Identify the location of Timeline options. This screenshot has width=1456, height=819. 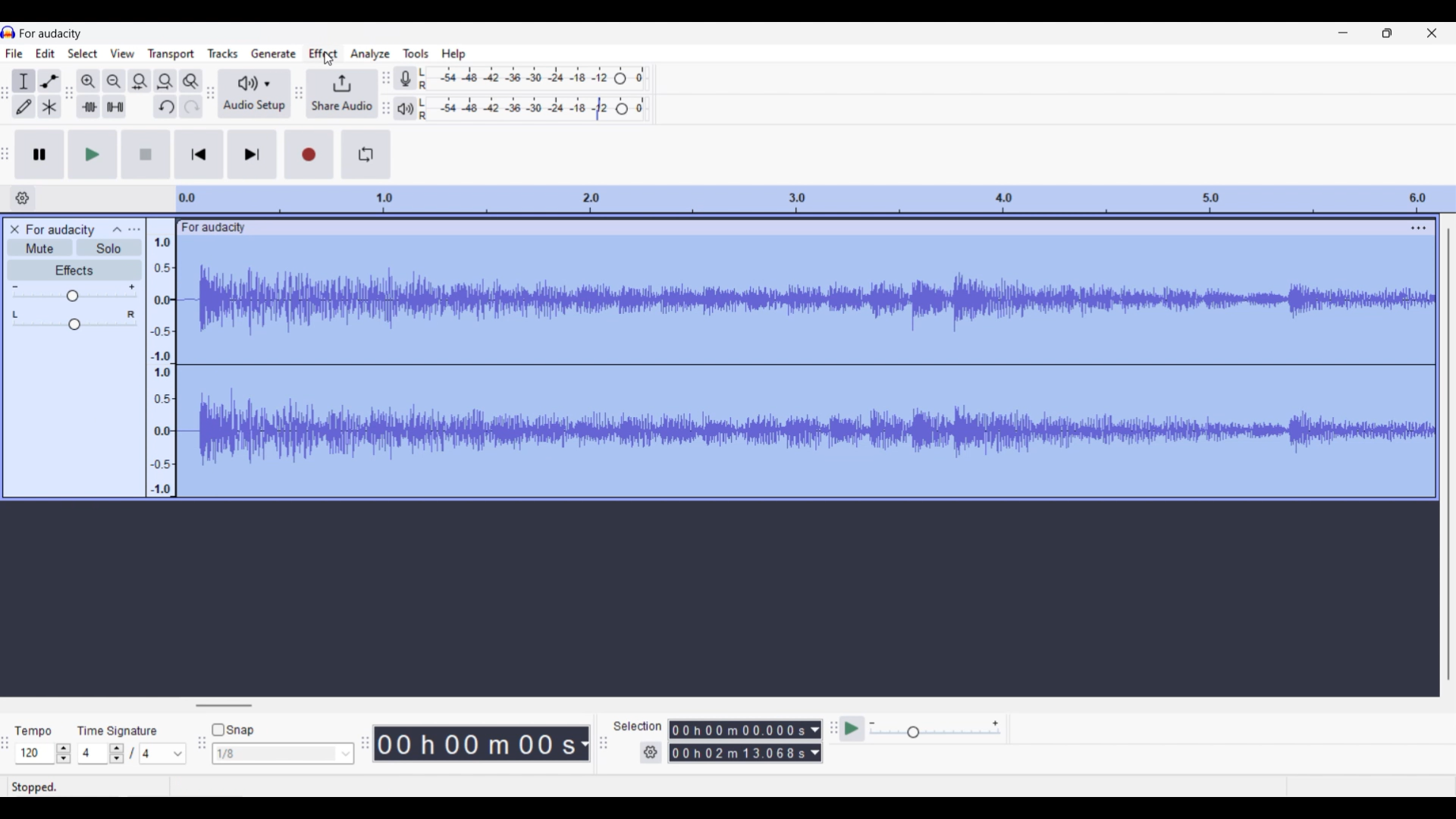
(22, 198).